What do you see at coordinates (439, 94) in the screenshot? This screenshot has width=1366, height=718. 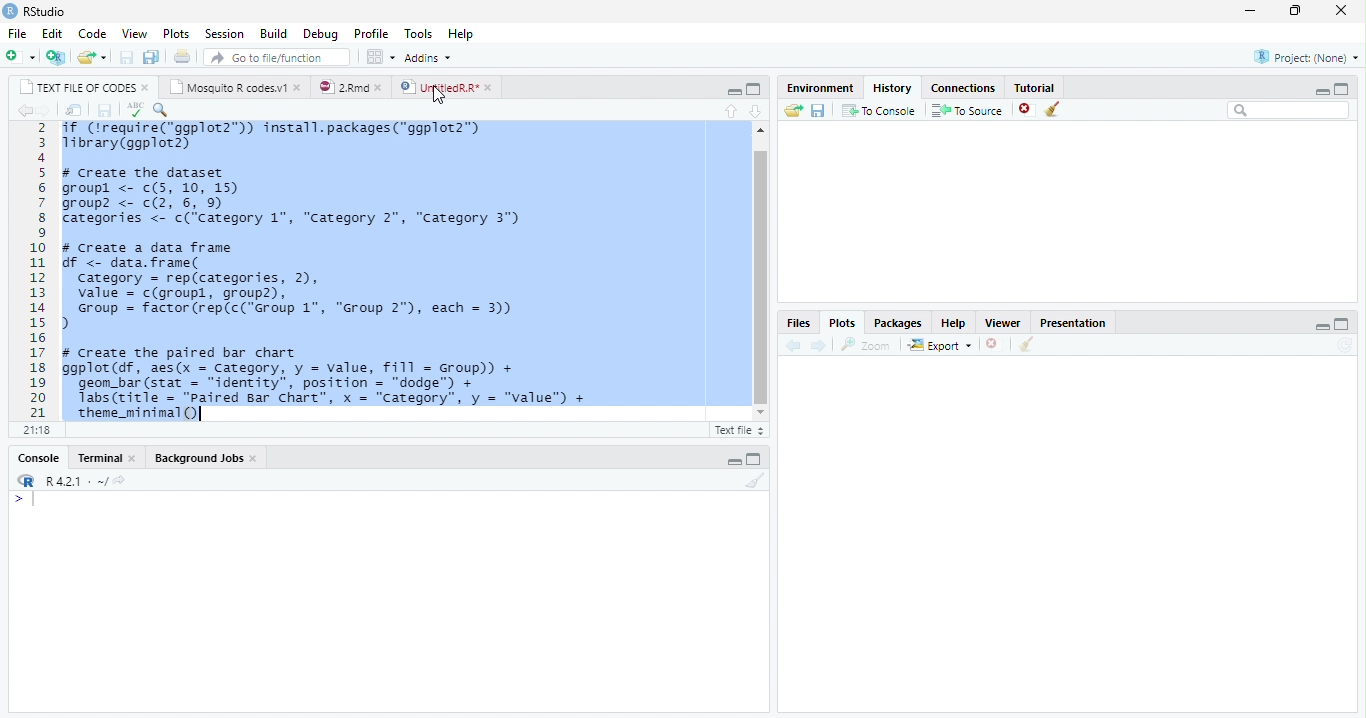 I see `cursor` at bounding box center [439, 94].